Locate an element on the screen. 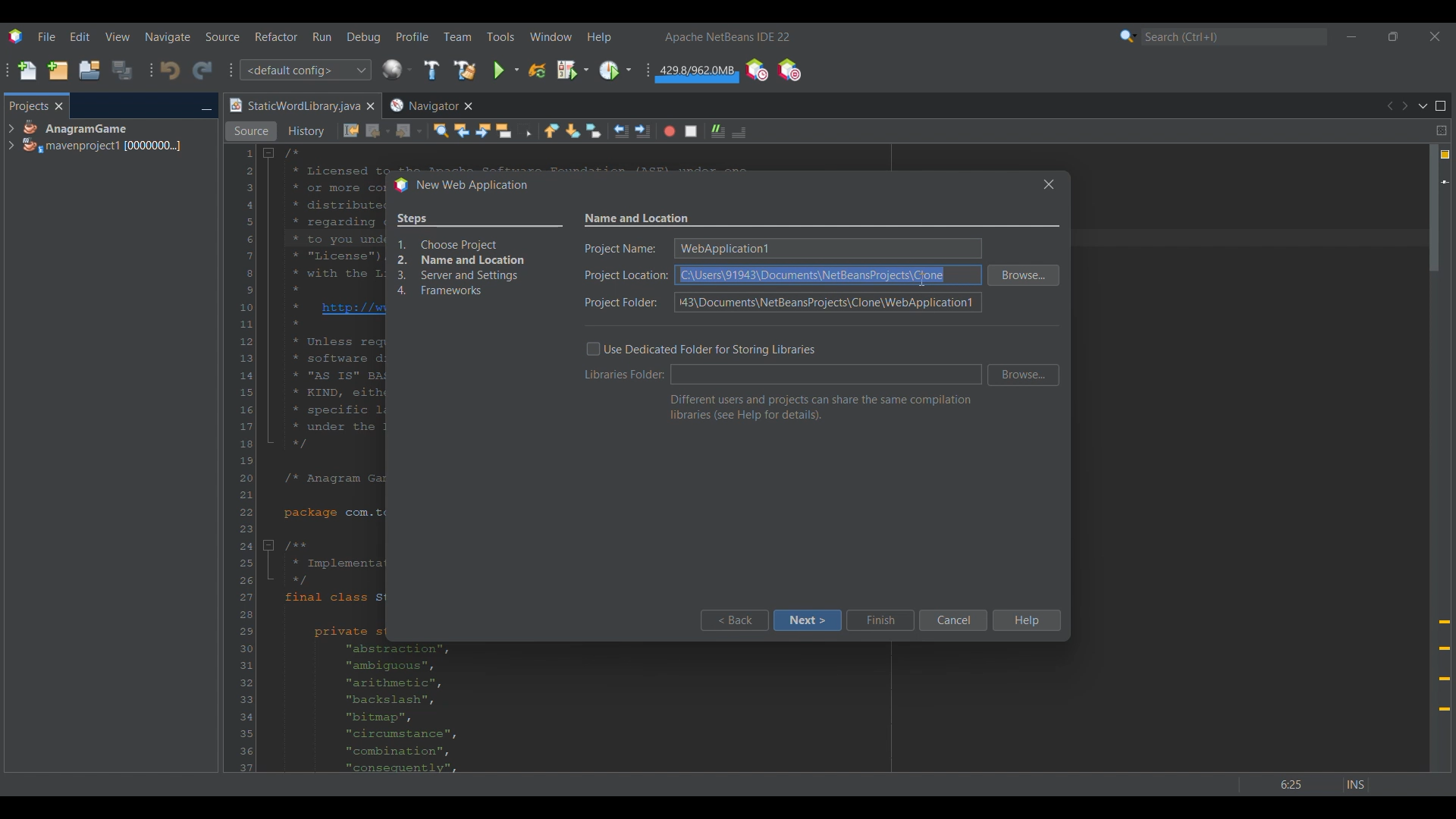  Find next occurrence is located at coordinates (483, 130).